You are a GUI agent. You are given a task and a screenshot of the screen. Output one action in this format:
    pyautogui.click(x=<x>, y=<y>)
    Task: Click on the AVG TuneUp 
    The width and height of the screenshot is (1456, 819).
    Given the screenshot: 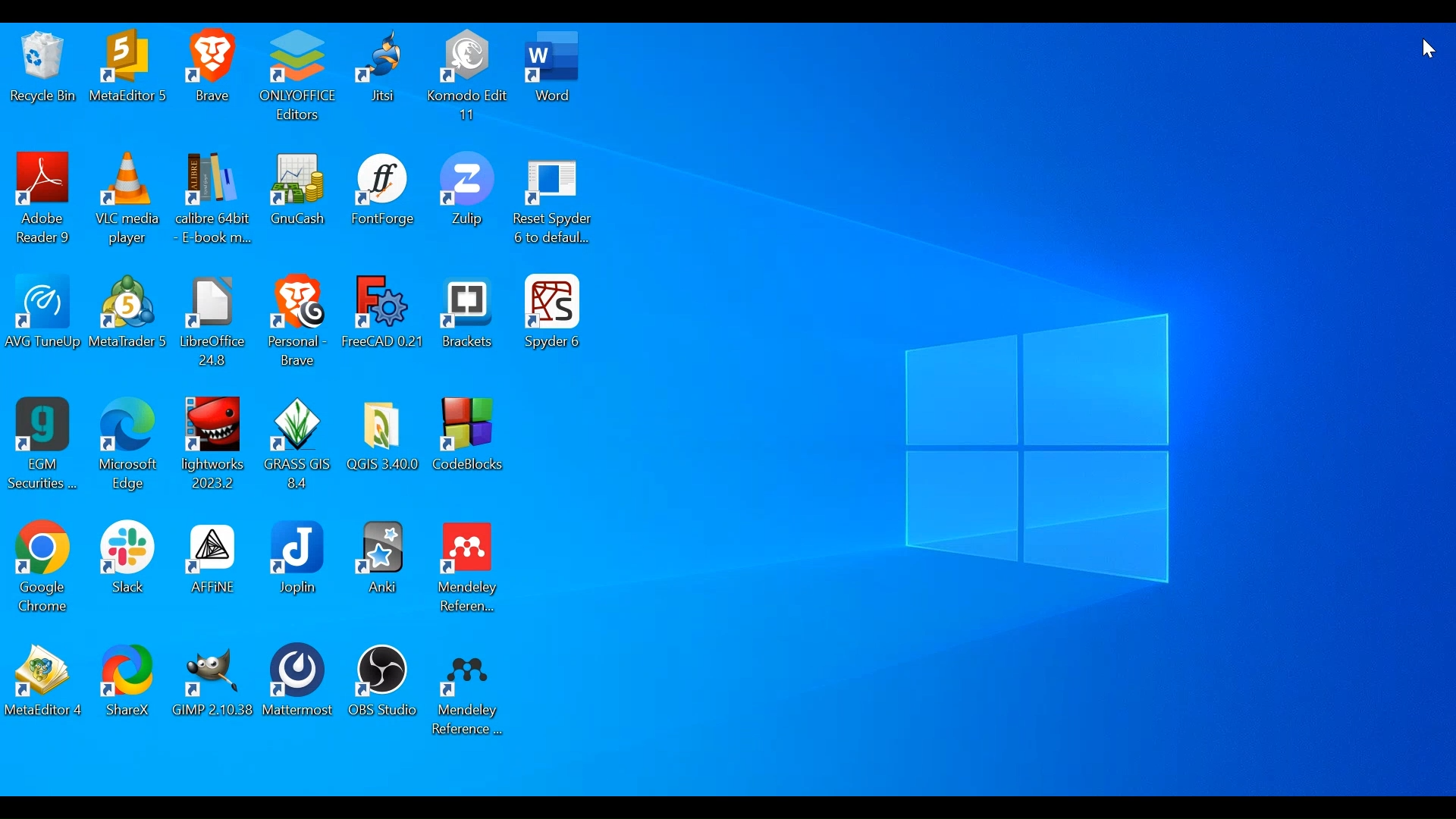 What is the action you would take?
    pyautogui.click(x=42, y=318)
    